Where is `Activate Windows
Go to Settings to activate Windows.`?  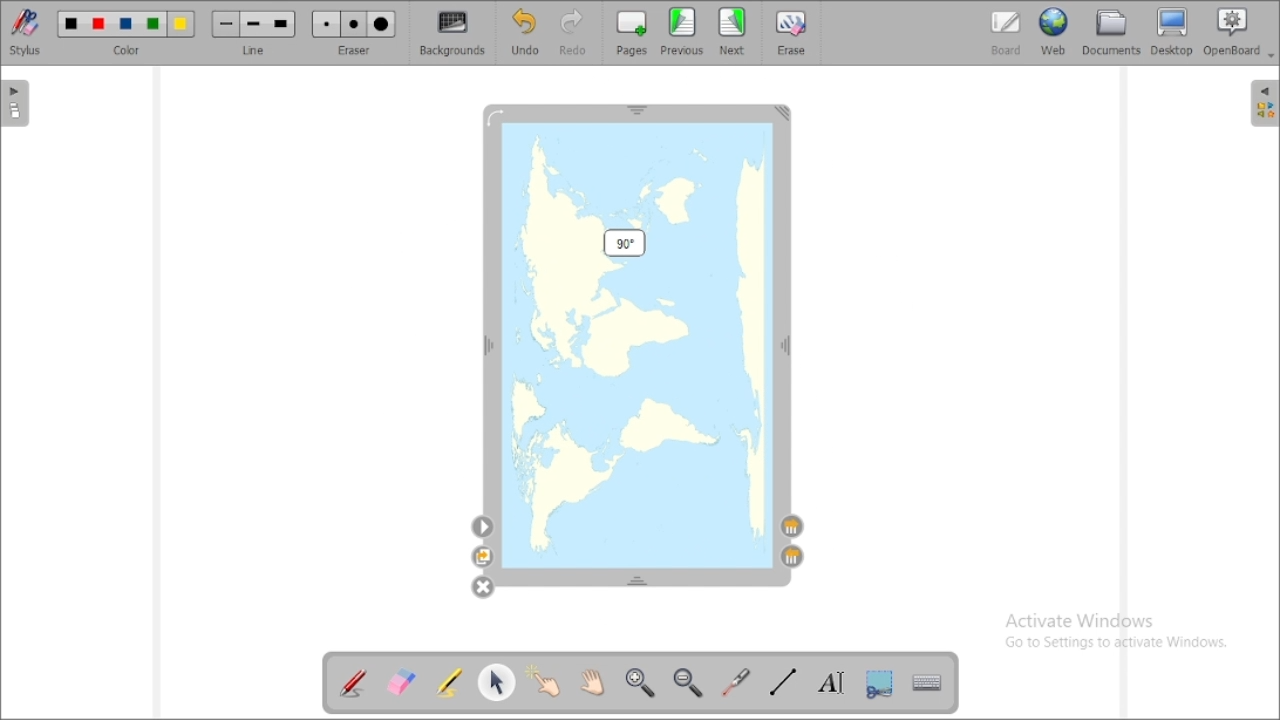 Activate Windows
Go to Settings to activate Windows. is located at coordinates (1113, 634).